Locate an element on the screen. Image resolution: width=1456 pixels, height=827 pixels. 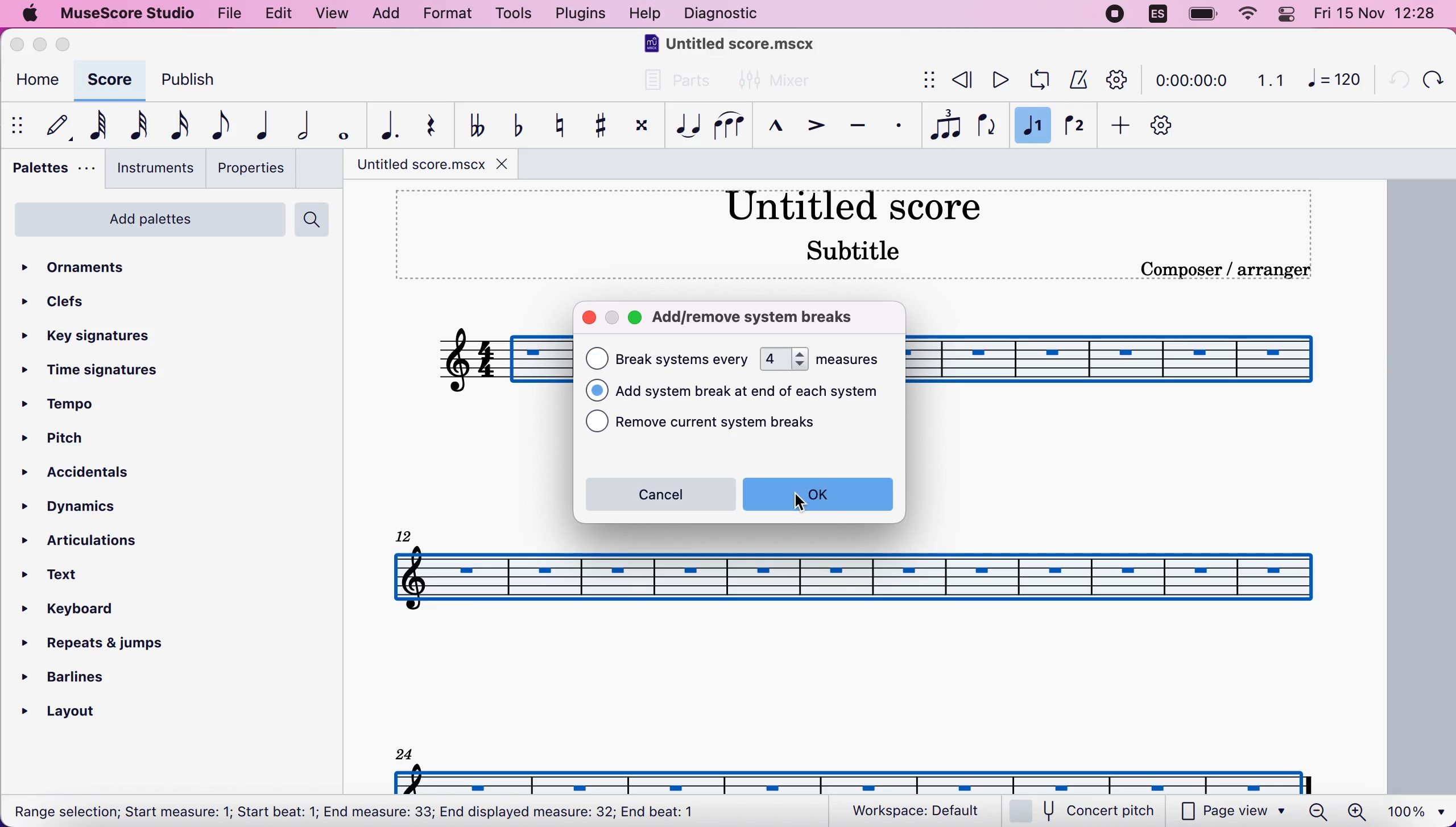
toggle flat is located at coordinates (515, 125).